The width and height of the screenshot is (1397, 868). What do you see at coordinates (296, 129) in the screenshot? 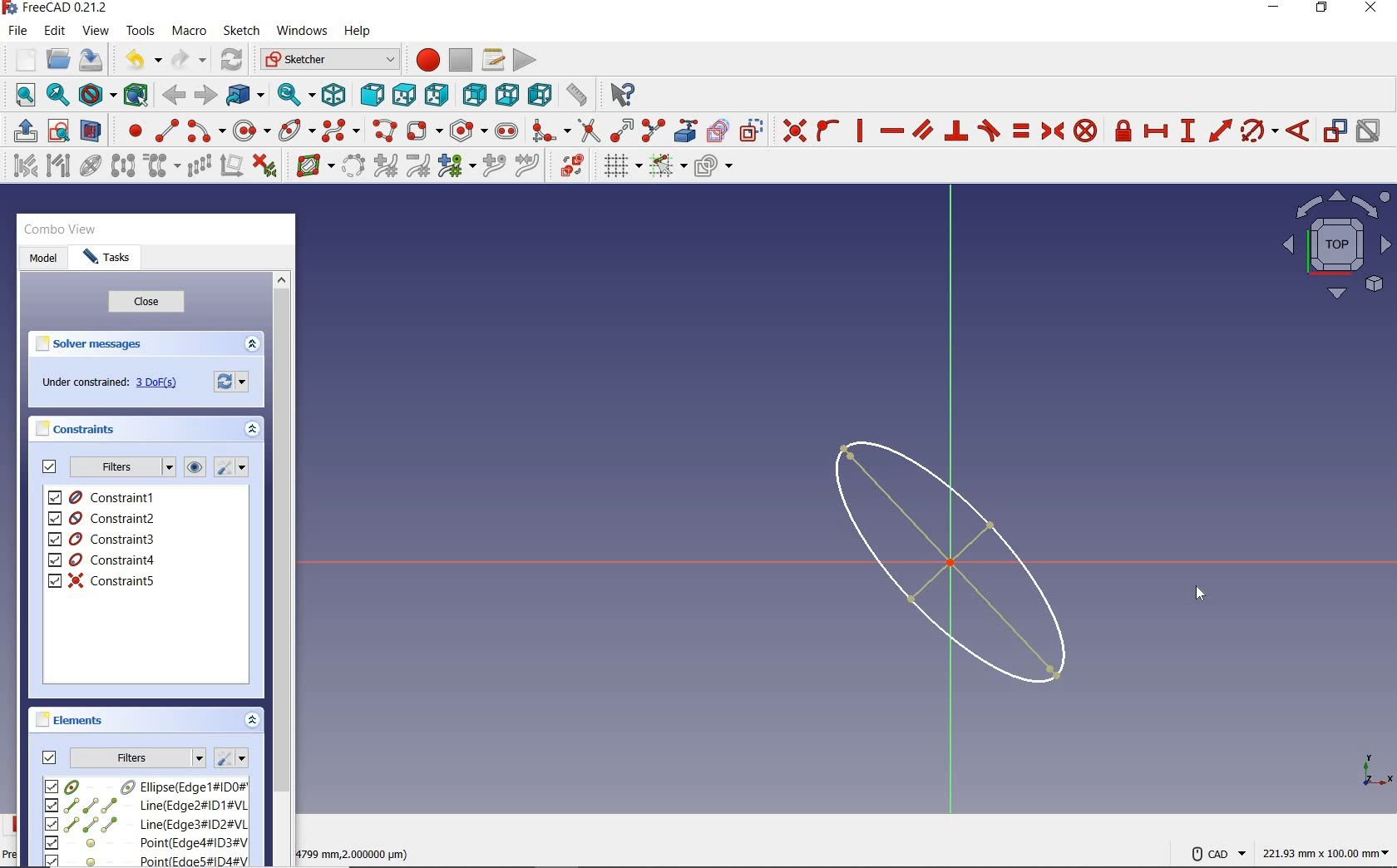
I see `ellipse` at bounding box center [296, 129].